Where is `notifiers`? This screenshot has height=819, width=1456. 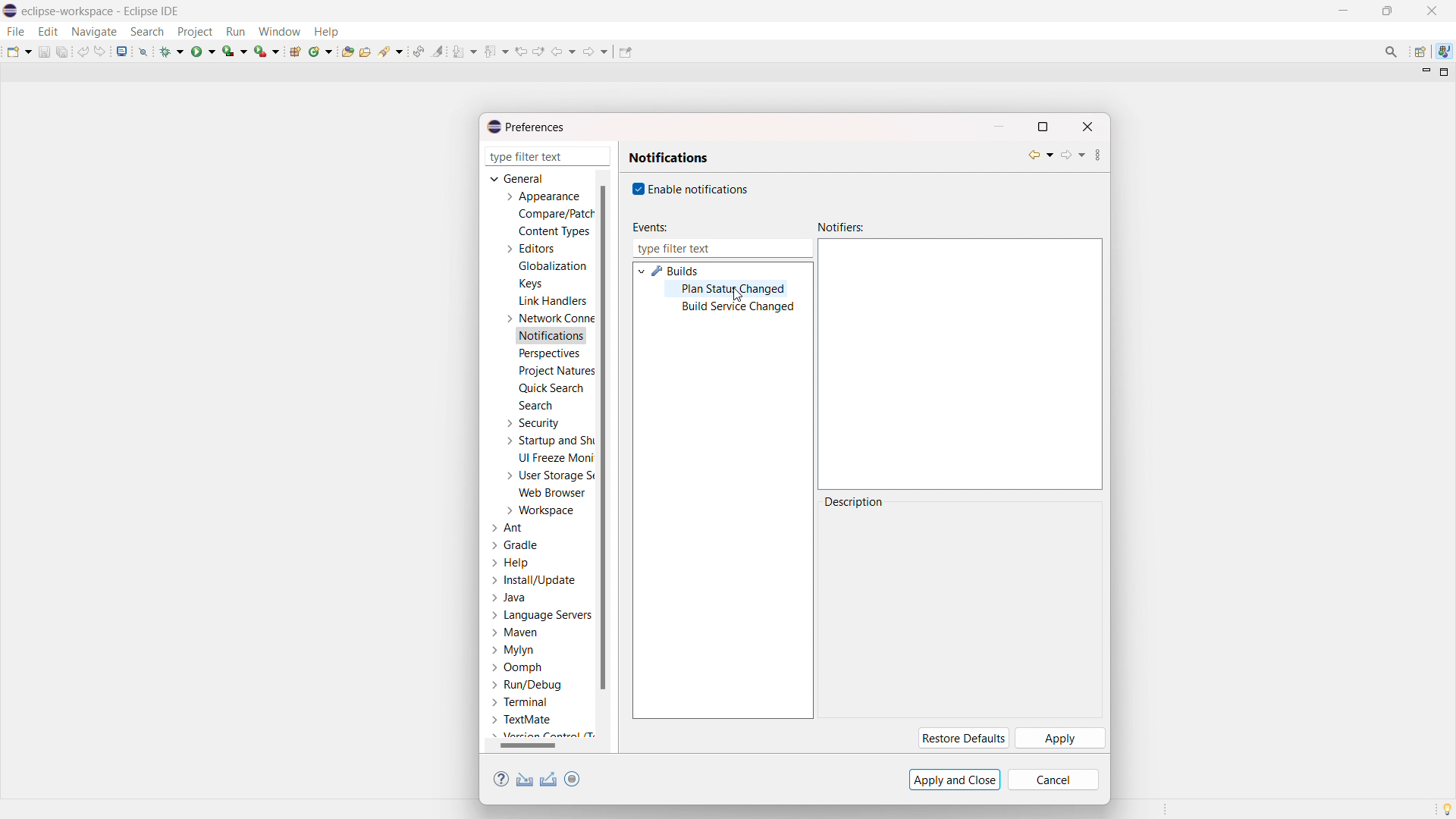 notifiers is located at coordinates (841, 227).